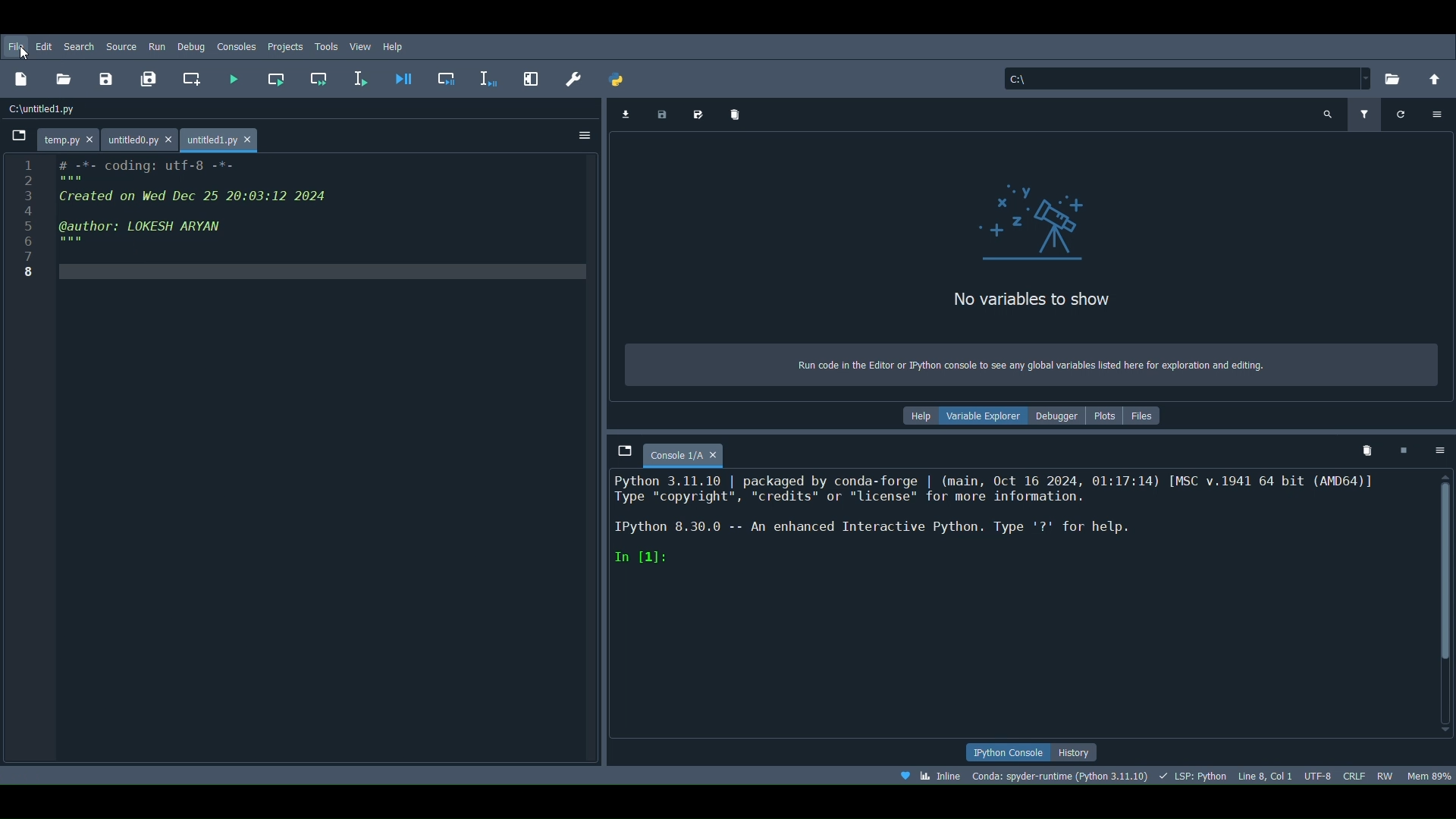 The width and height of the screenshot is (1456, 819). I want to click on Help, so click(921, 416).